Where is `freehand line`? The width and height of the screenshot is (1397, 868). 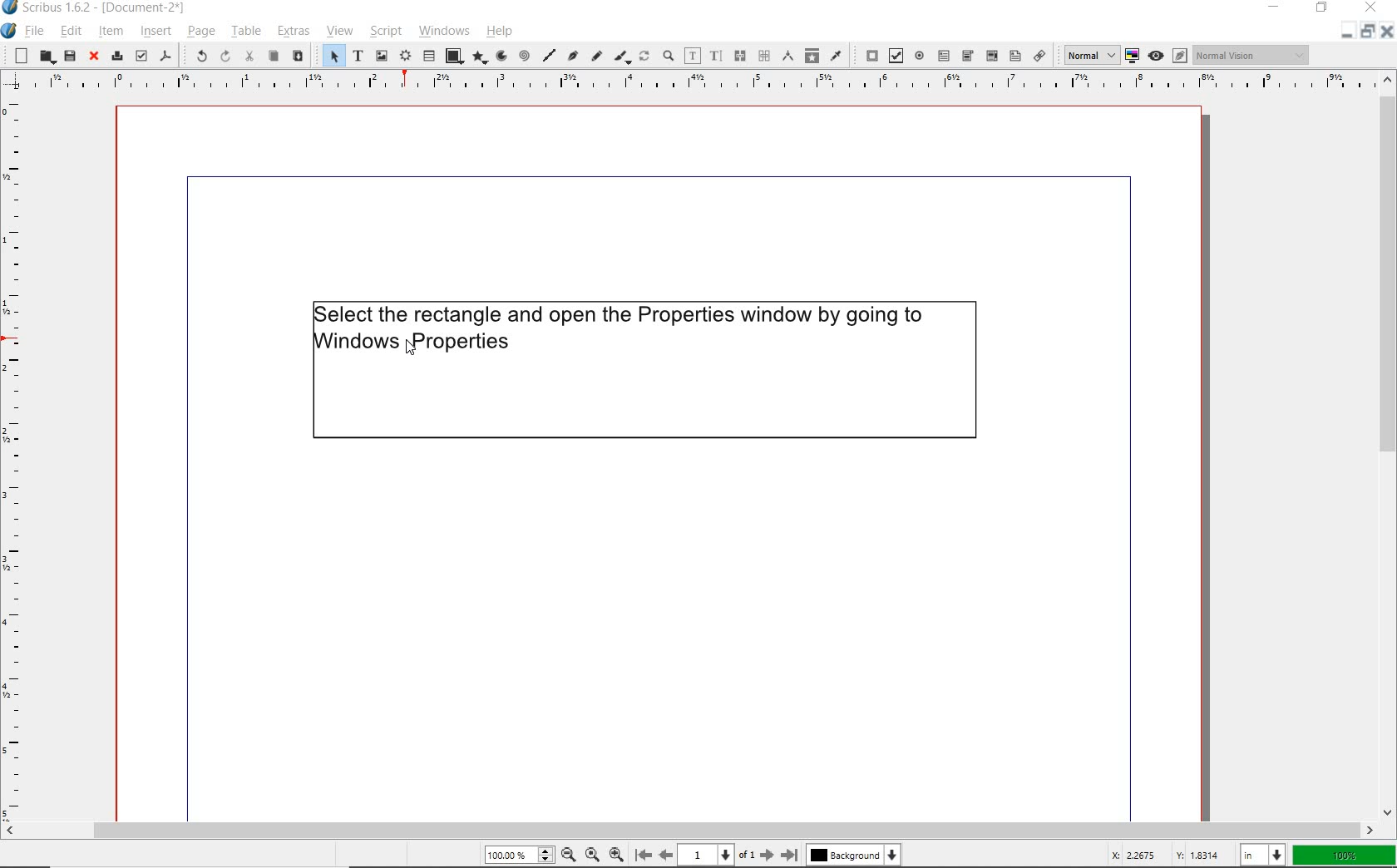
freehand line is located at coordinates (597, 57).